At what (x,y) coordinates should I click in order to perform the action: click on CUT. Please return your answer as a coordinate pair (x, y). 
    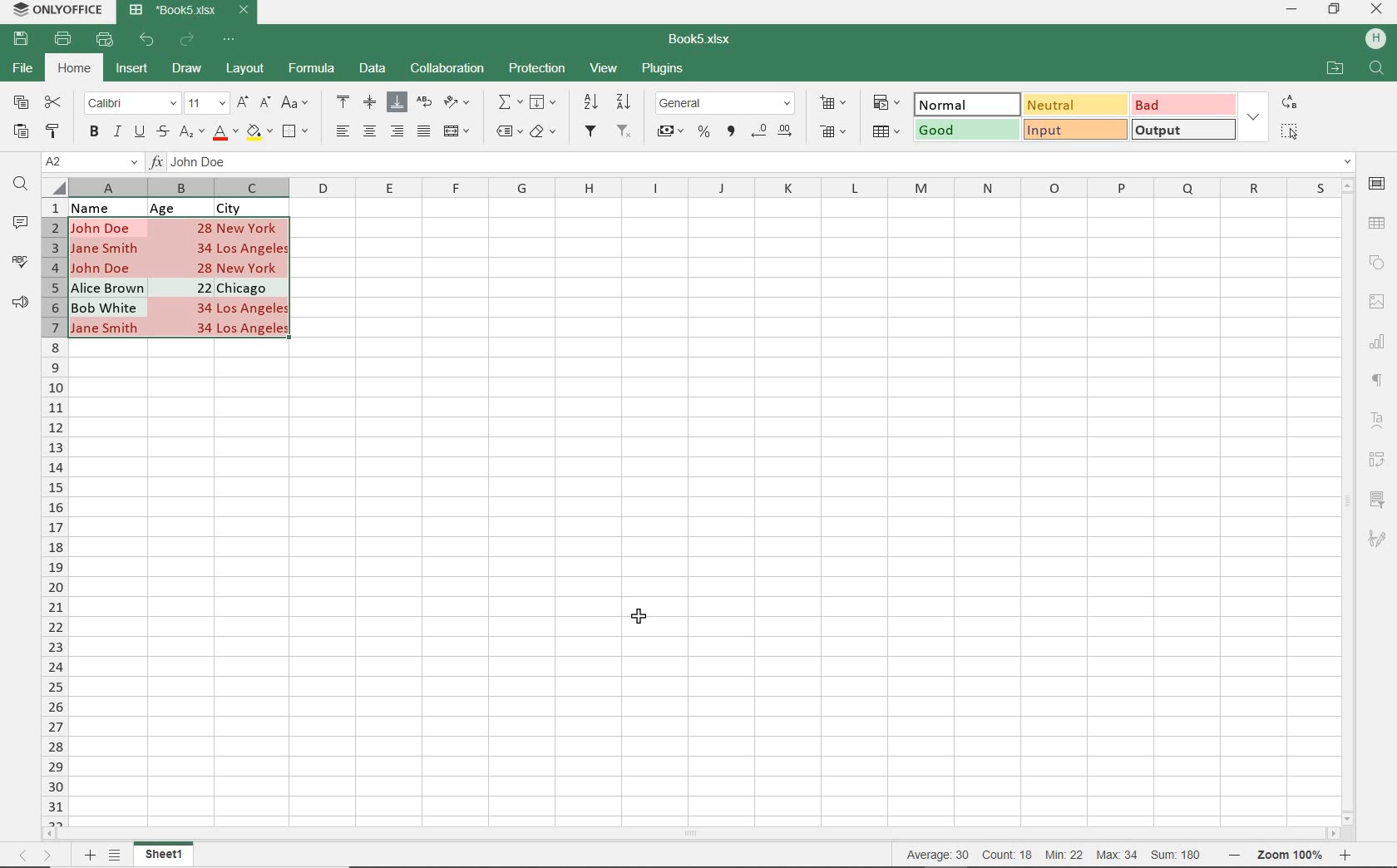
    Looking at the image, I should click on (54, 102).